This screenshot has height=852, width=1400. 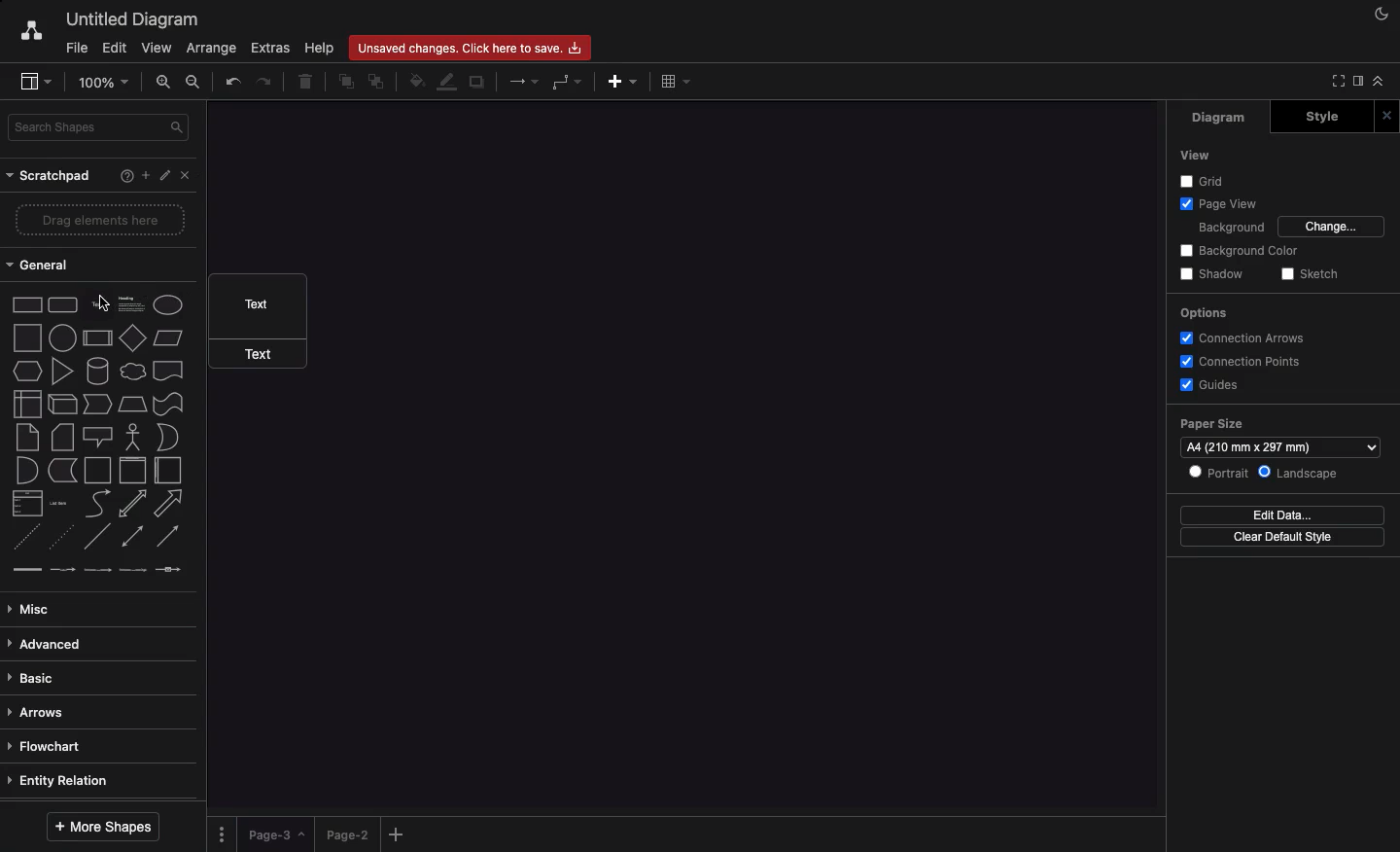 I want to click on Night mode on, so click(x=1380, y=15).